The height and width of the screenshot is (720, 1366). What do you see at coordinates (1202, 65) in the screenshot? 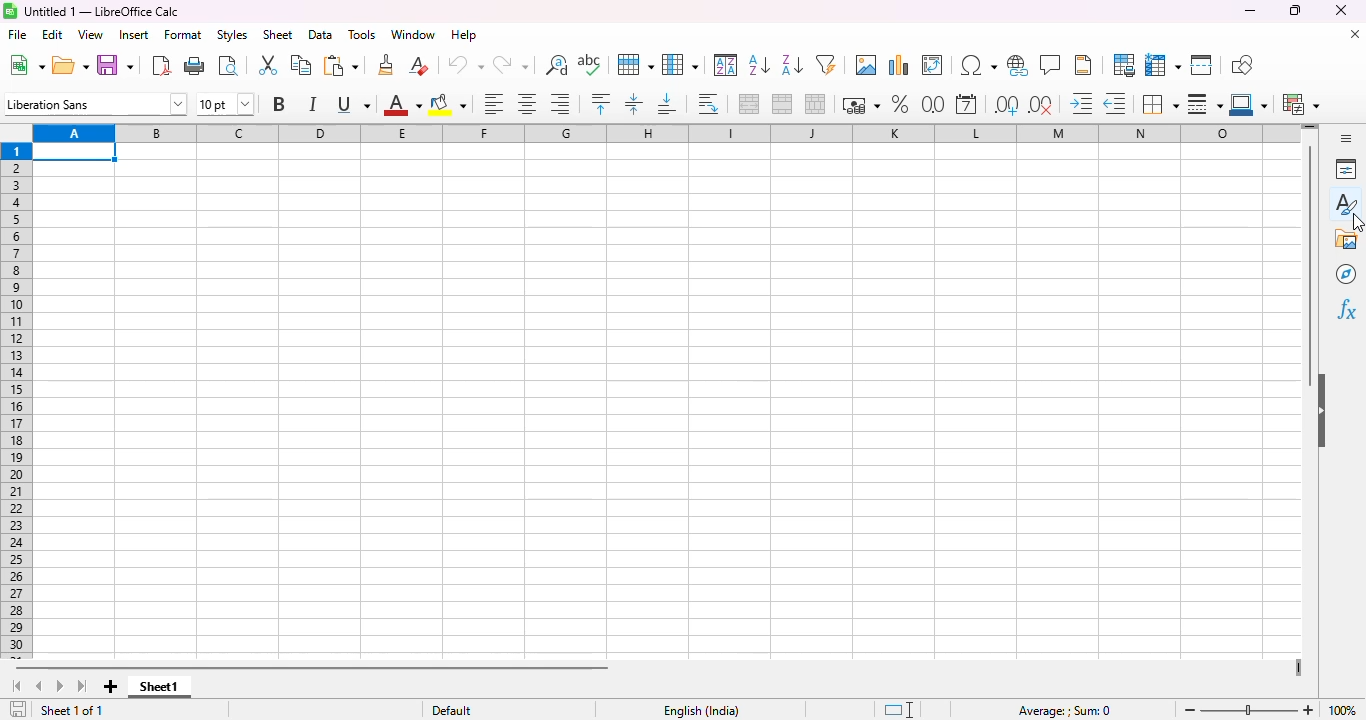
I see `split window` at bounding box center [1202, 65].